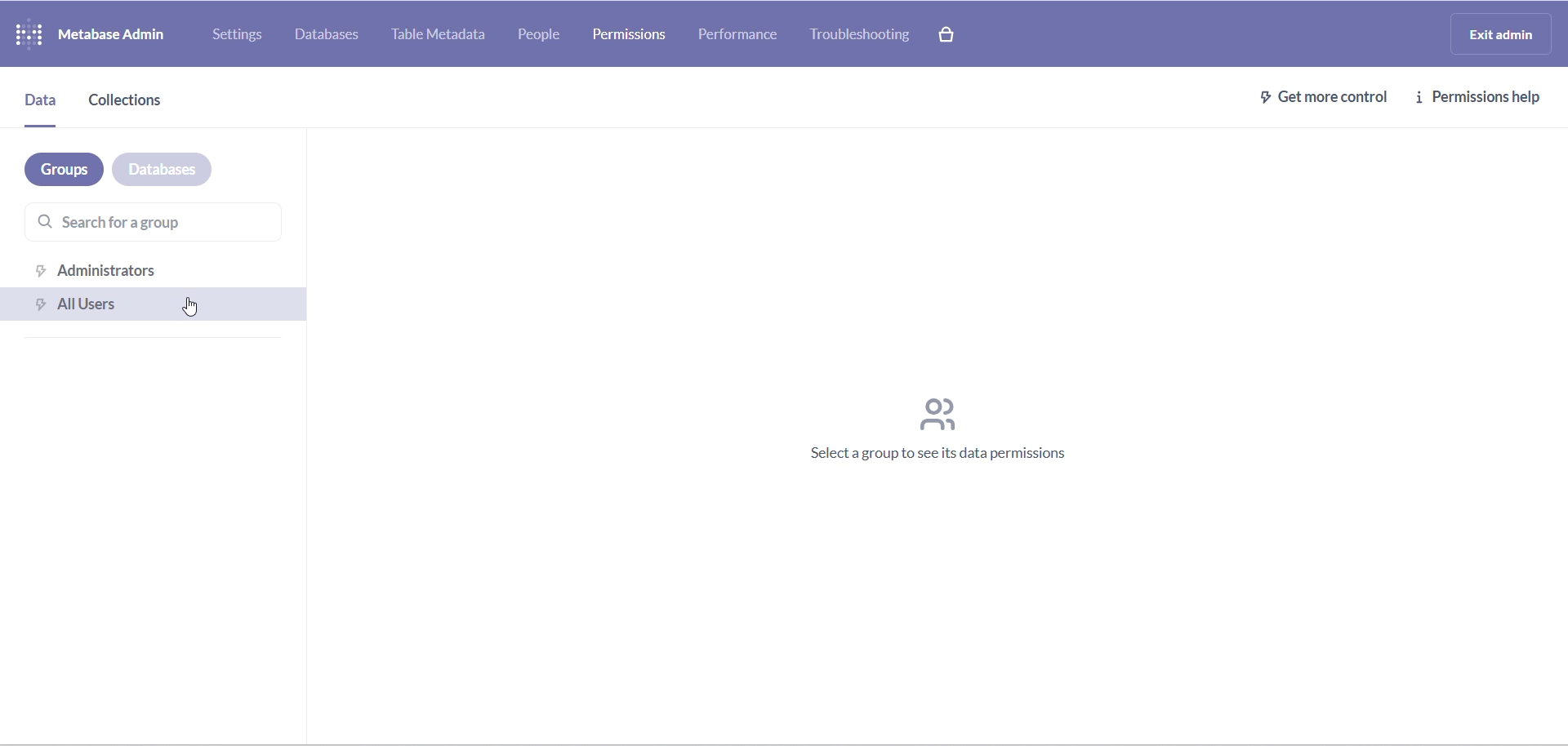  What do you see at coordinates (739, 33) in the screenshot?
I see `performance` at bounding box center [739, 33].